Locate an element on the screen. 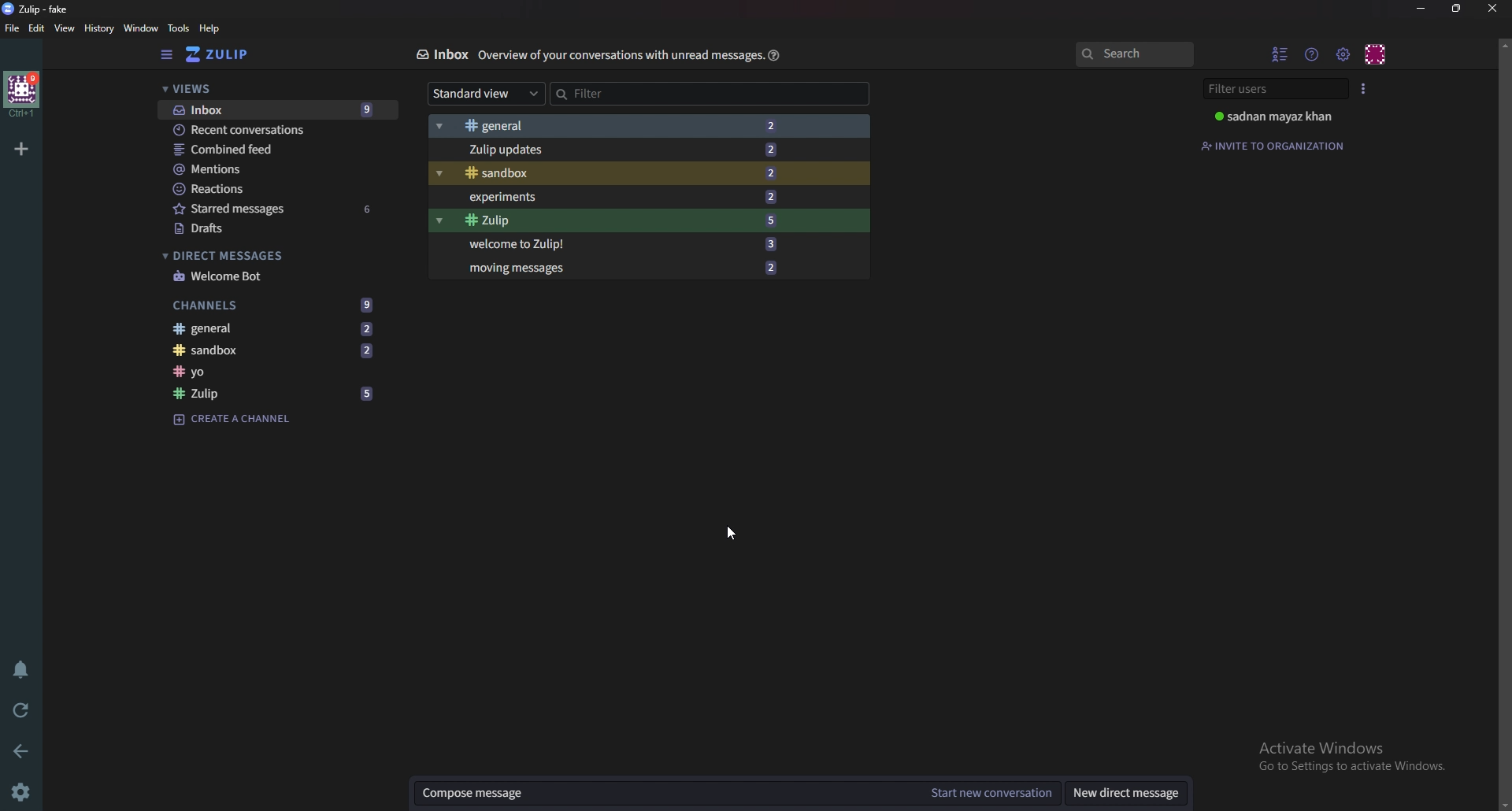 Image resolution: width=1512 pixels, height=811 pixels. user is located at coordinates (1273, 116).